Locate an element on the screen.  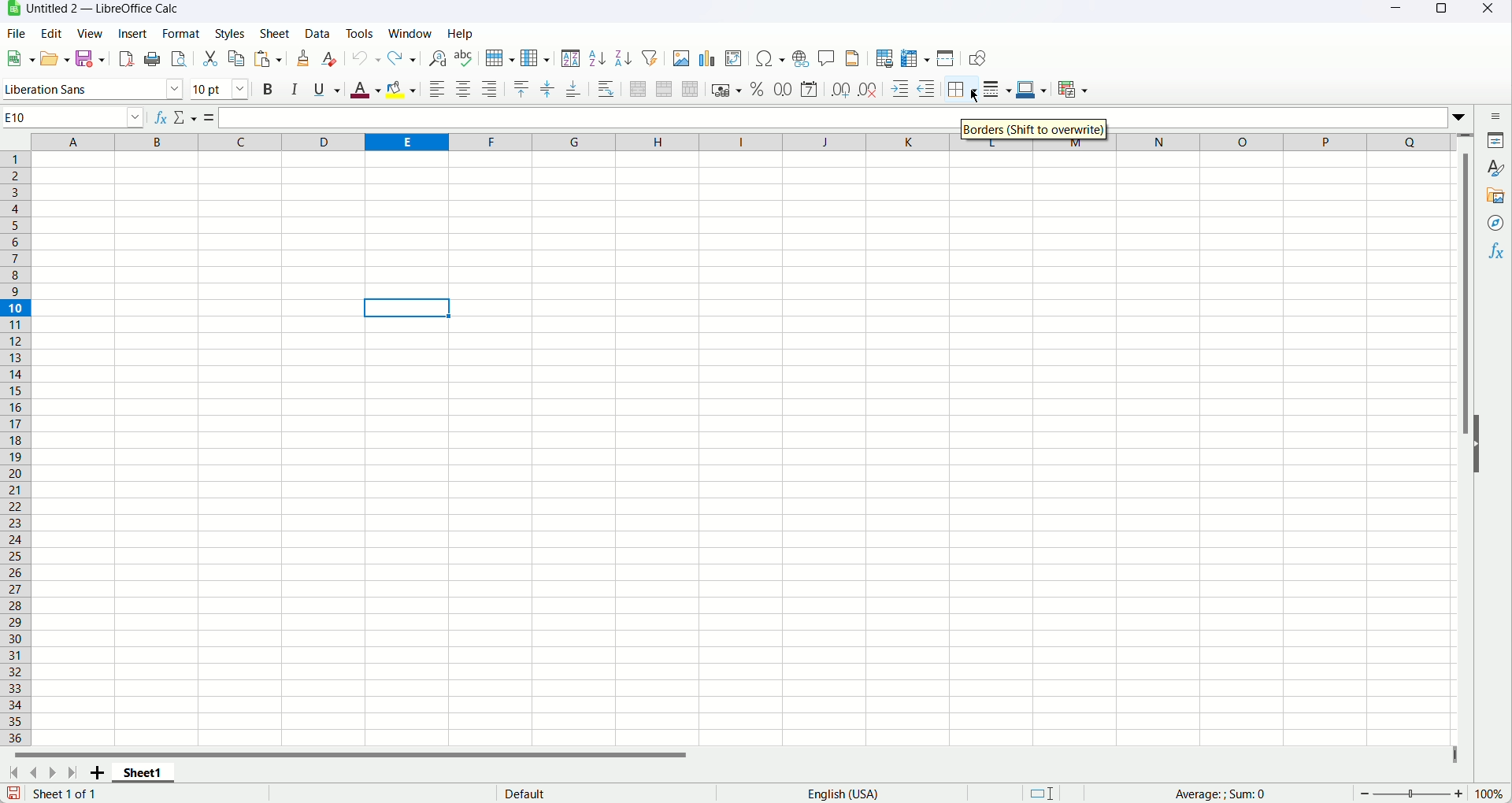
Find and replace is located at coordinates (435, 58).